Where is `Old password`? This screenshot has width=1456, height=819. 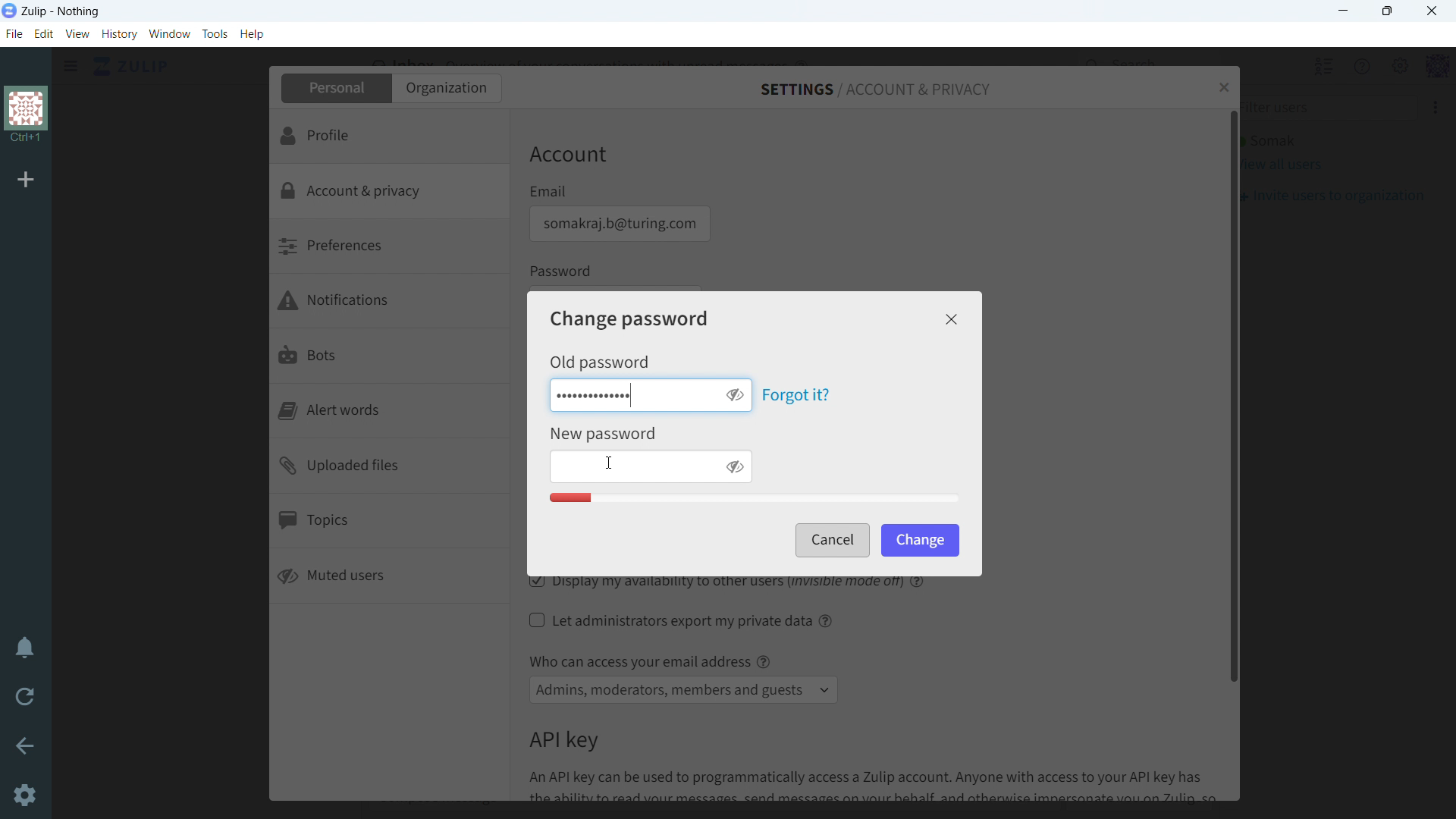 Old password is located at coordinates (599, 362).